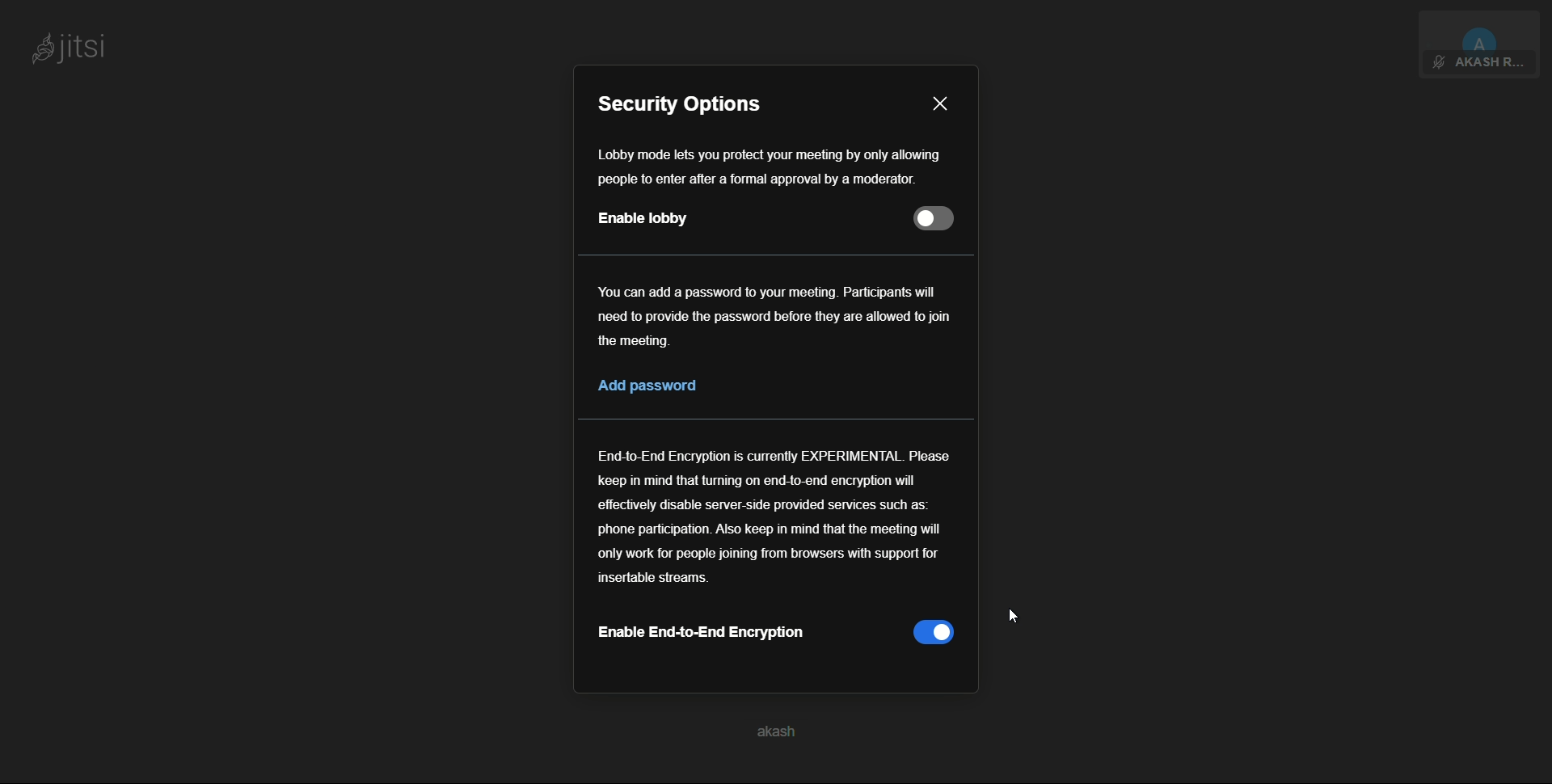  Describe the element at coordinates (1015, 615) in the screenshot. I see `CURSOR` at that location.